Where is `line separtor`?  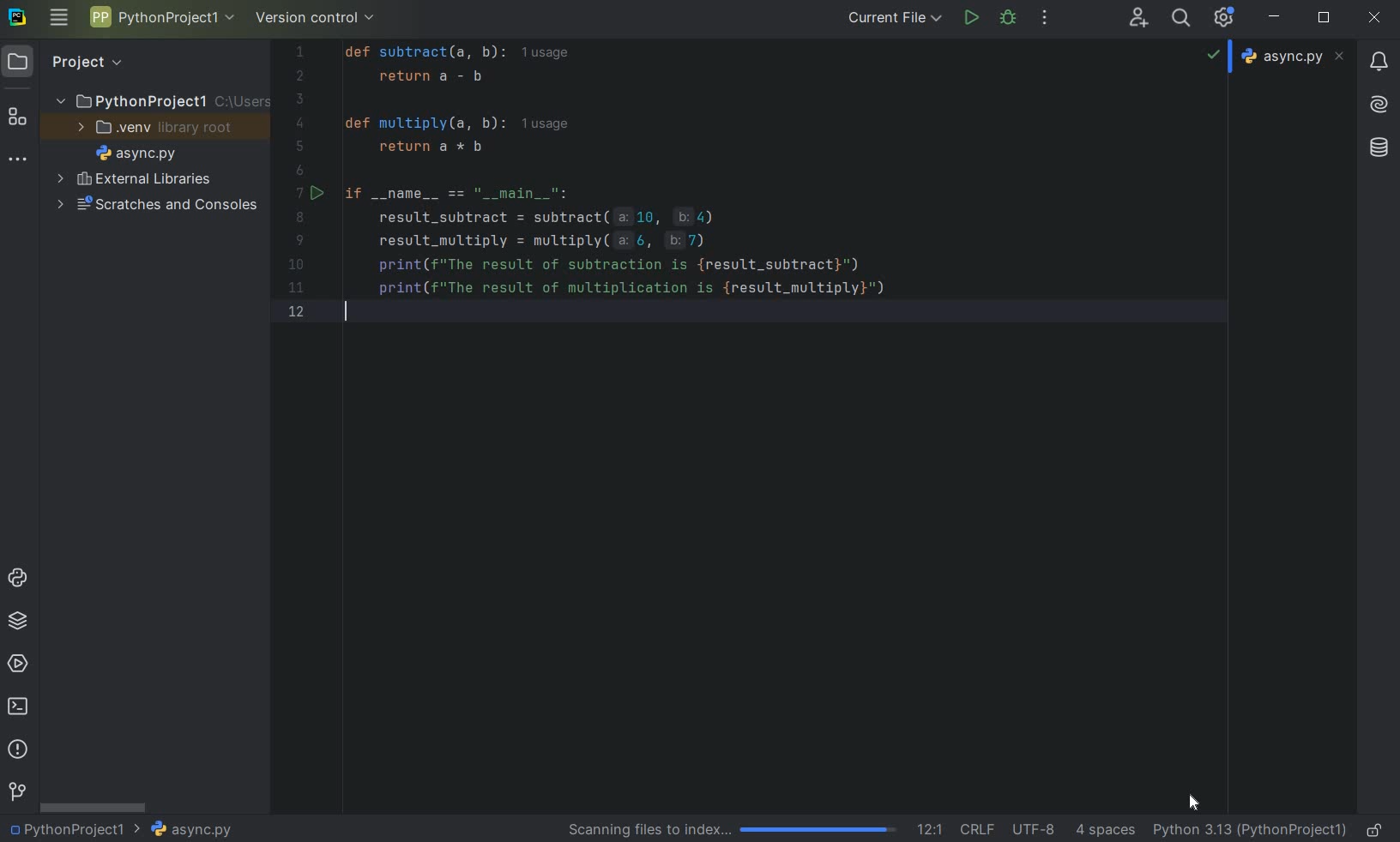
line separtor is located at coordinates (975, 828).